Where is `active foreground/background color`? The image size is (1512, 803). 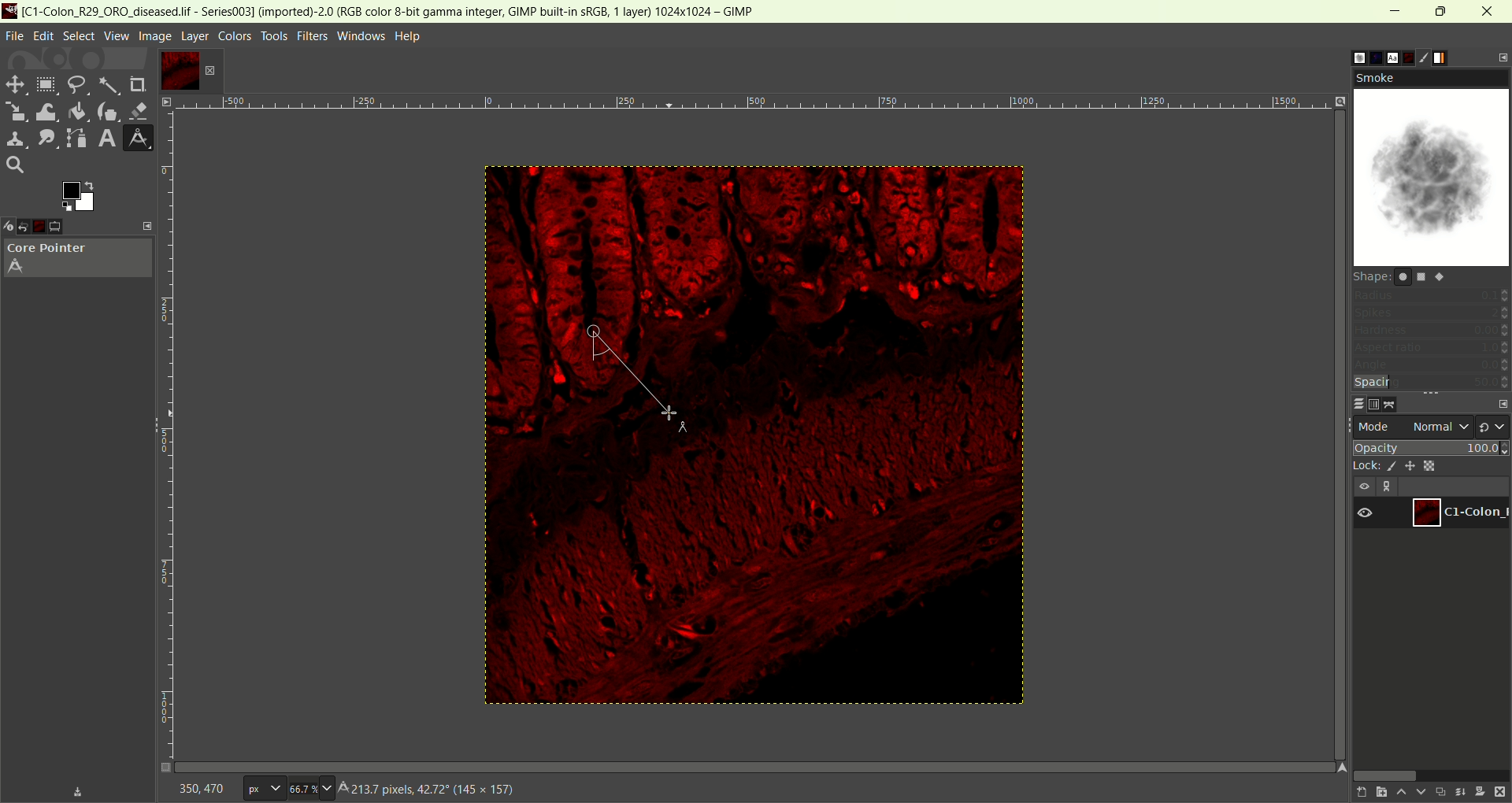 active foreground/background color is located at coordinates (76, 196).